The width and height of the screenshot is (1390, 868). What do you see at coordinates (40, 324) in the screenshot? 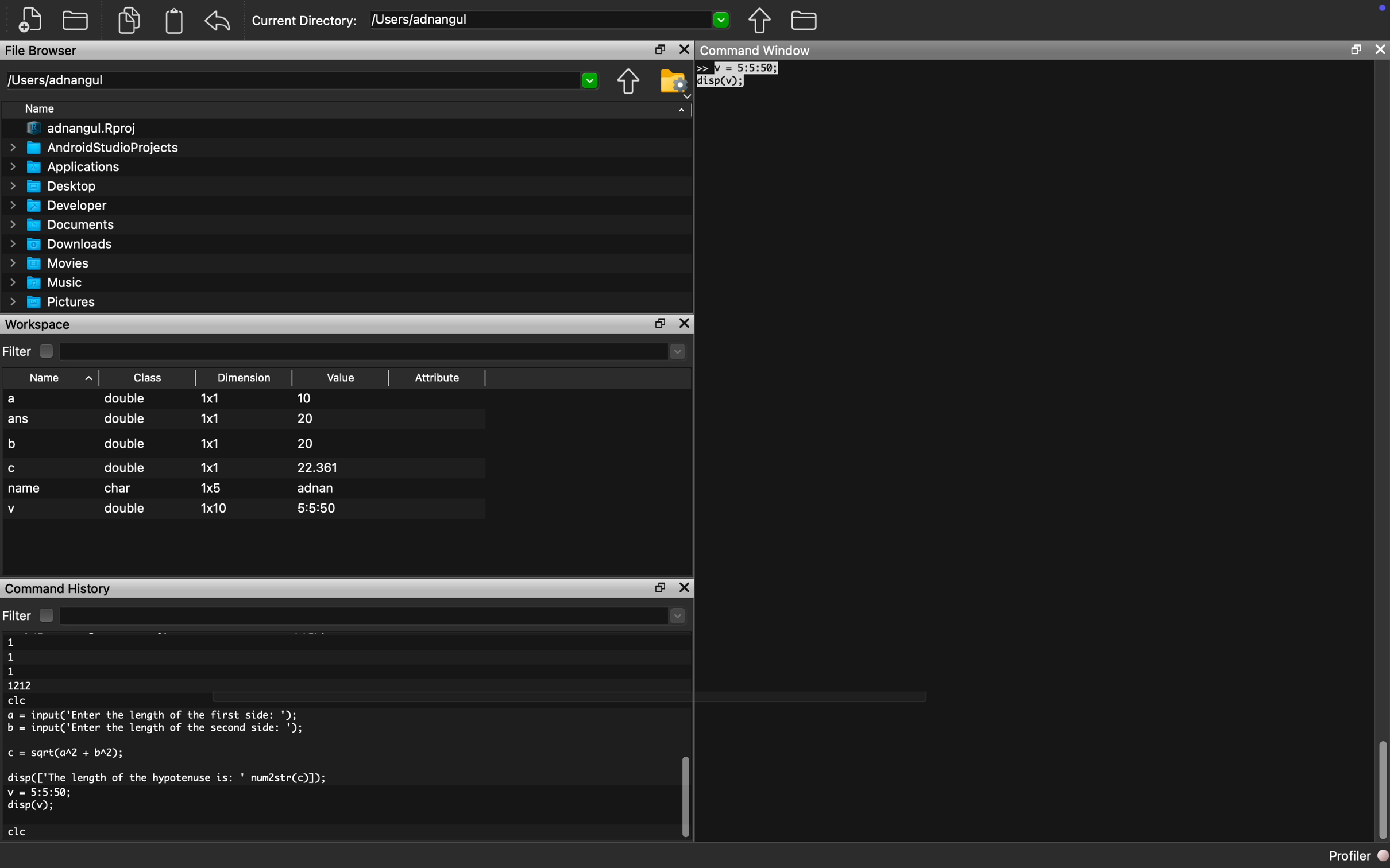
I see `Workspace` at bounding box center [40, 324].